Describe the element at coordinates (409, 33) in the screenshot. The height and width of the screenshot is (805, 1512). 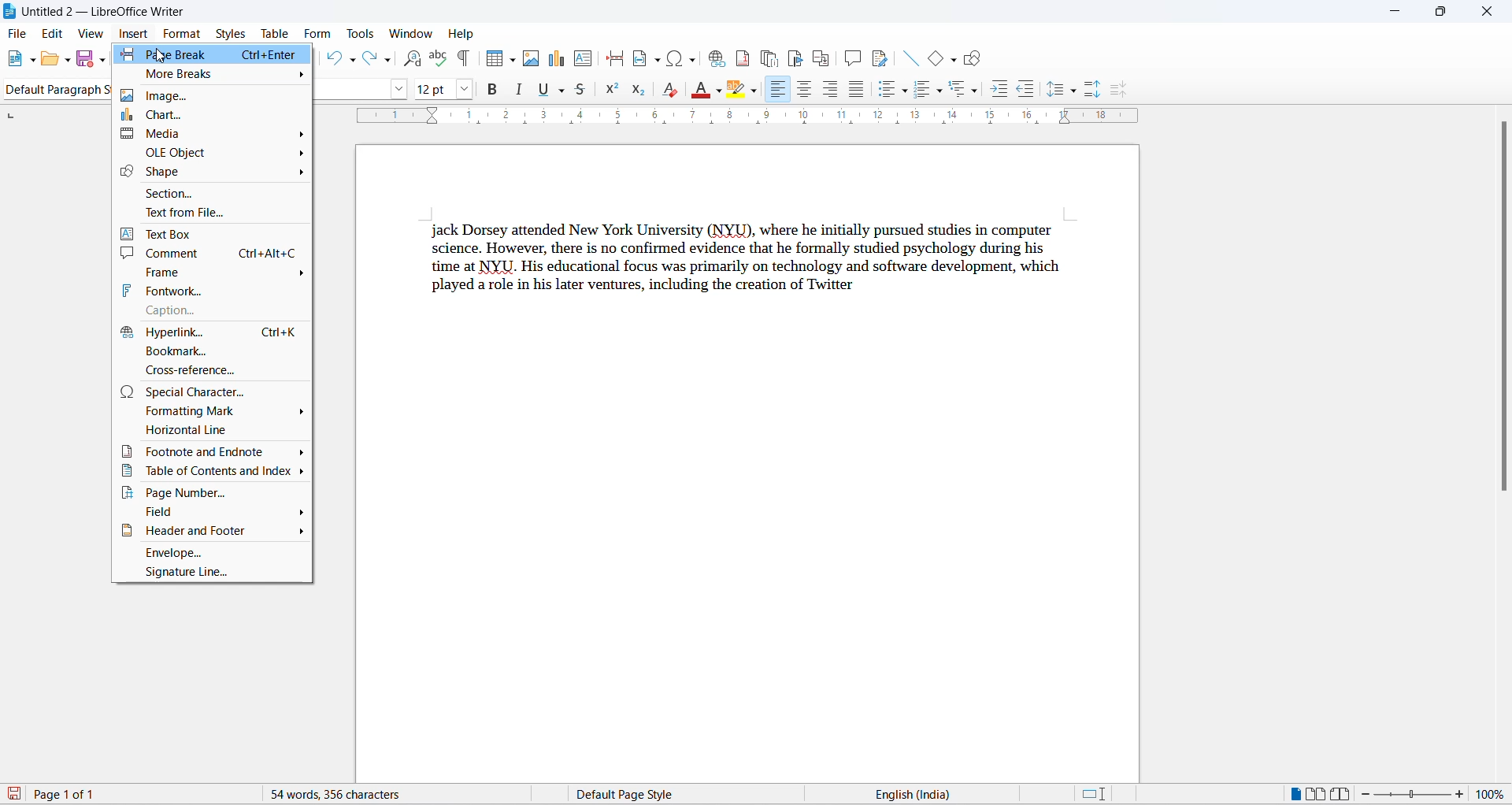
I see `window` at that location.